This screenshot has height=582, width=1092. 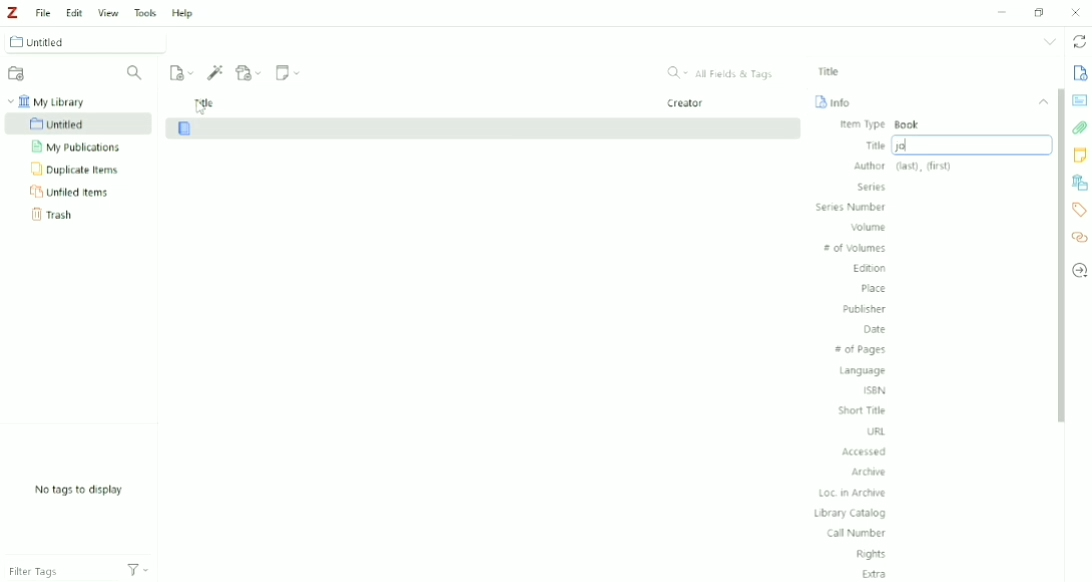 What do you see at coordinates (76, 147) in the screenshot?
I see `My Publications` at bounding box center [76, 147].